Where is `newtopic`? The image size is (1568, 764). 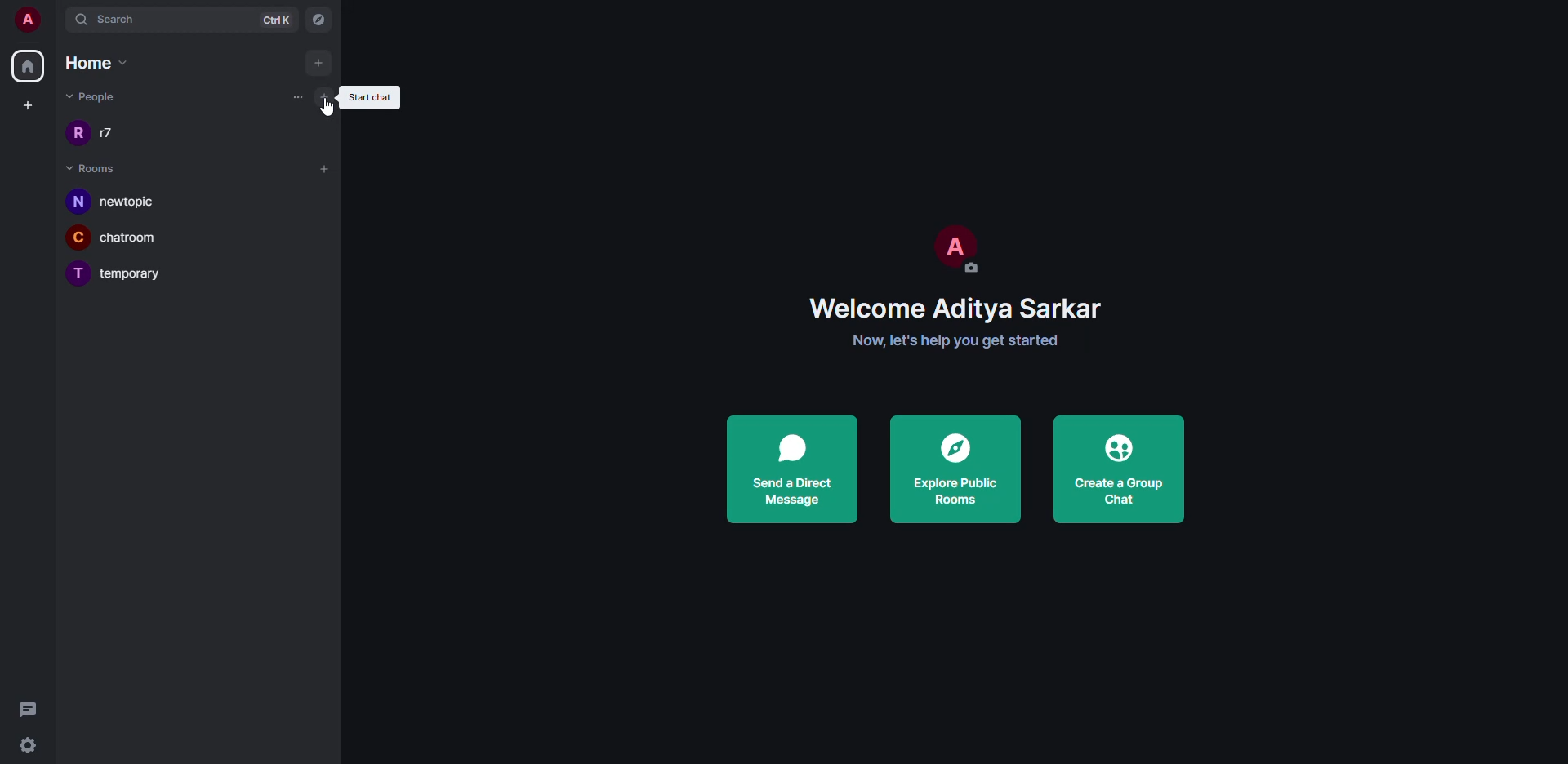
newtopic is located at coordinates (136, 202).